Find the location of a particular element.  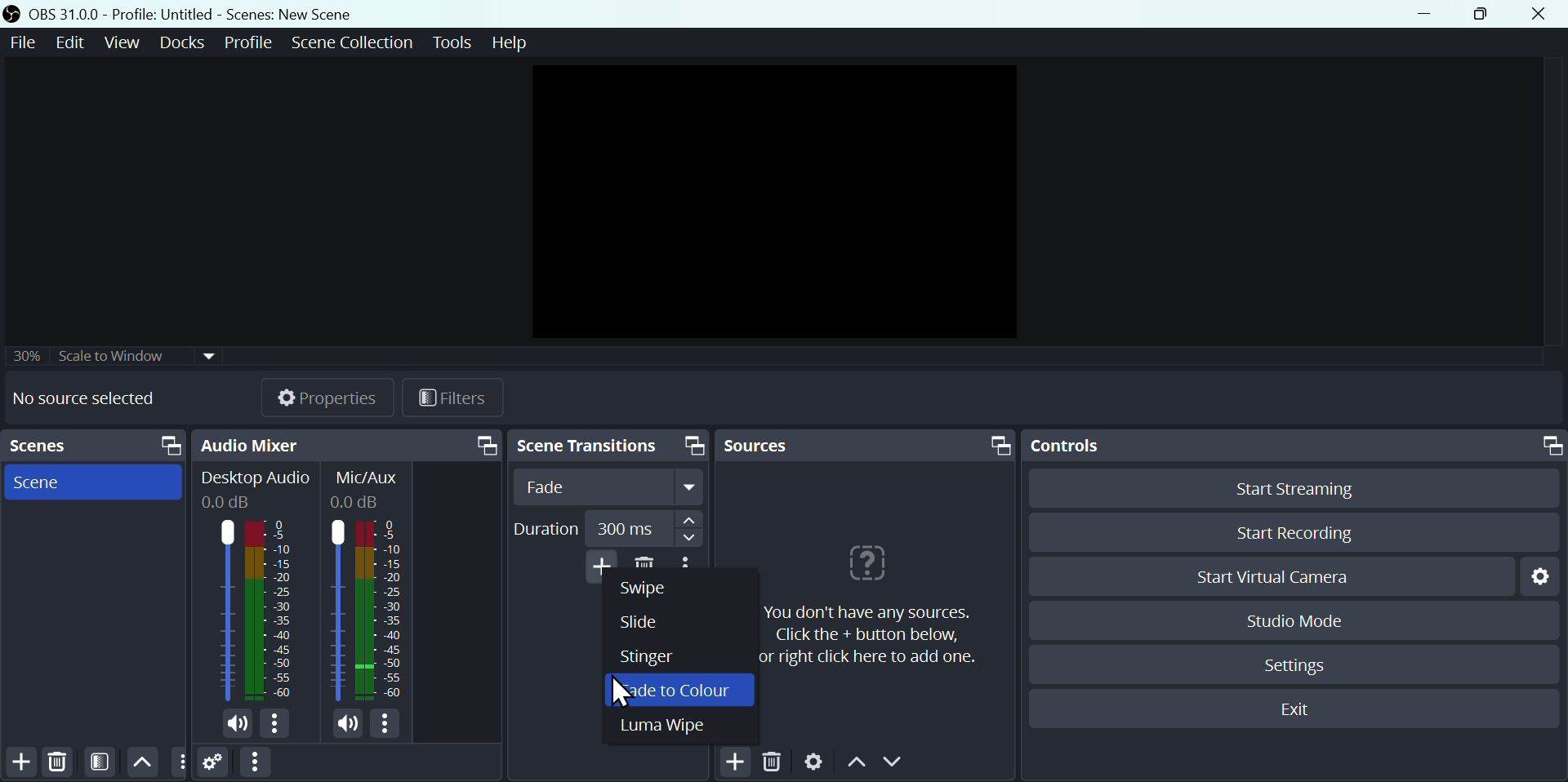

 is located at coordinates (185, 42).